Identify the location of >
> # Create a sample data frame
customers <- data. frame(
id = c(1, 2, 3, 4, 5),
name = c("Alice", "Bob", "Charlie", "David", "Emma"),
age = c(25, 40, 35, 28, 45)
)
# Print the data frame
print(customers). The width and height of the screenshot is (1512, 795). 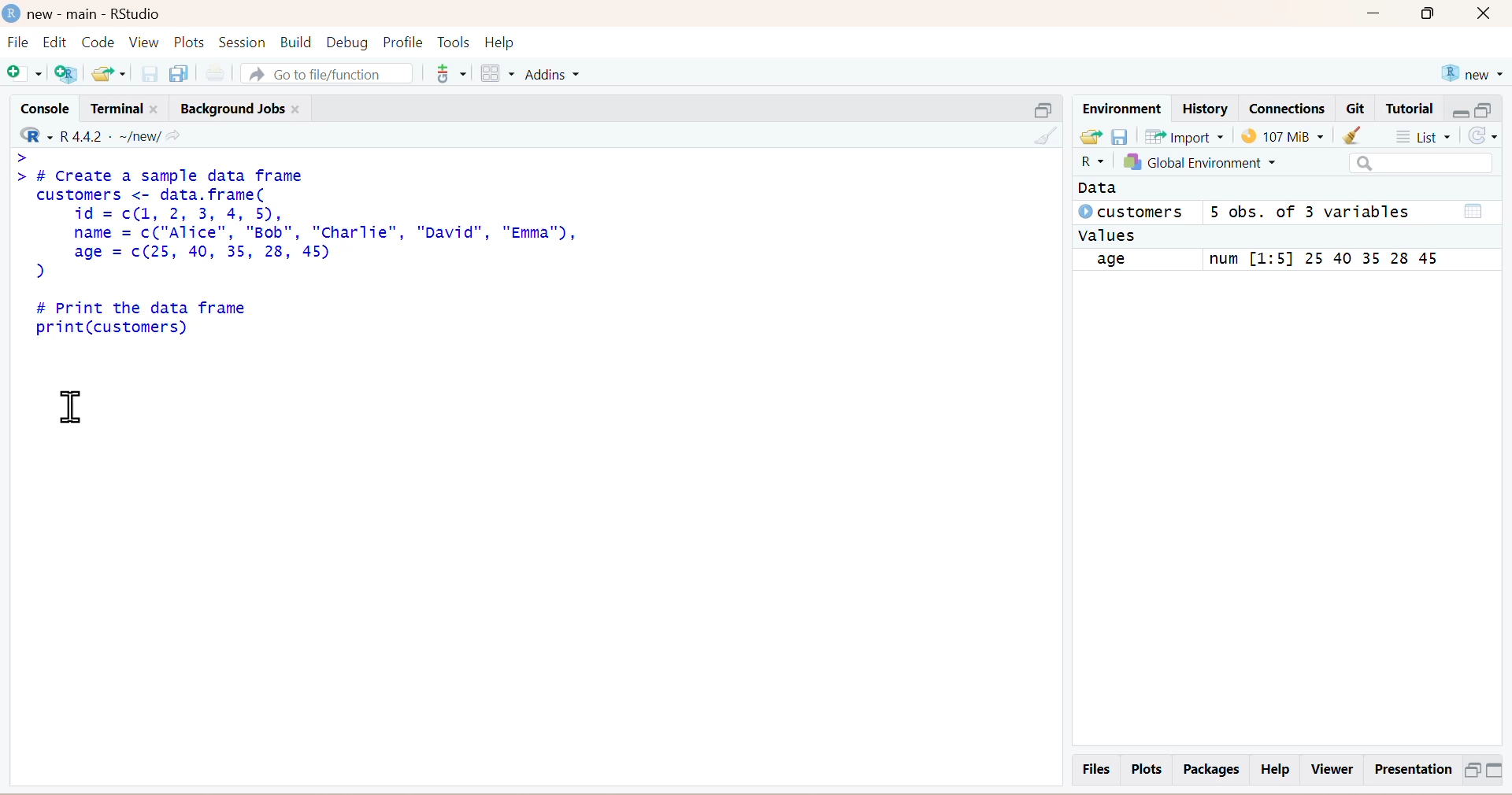
(325, 250).